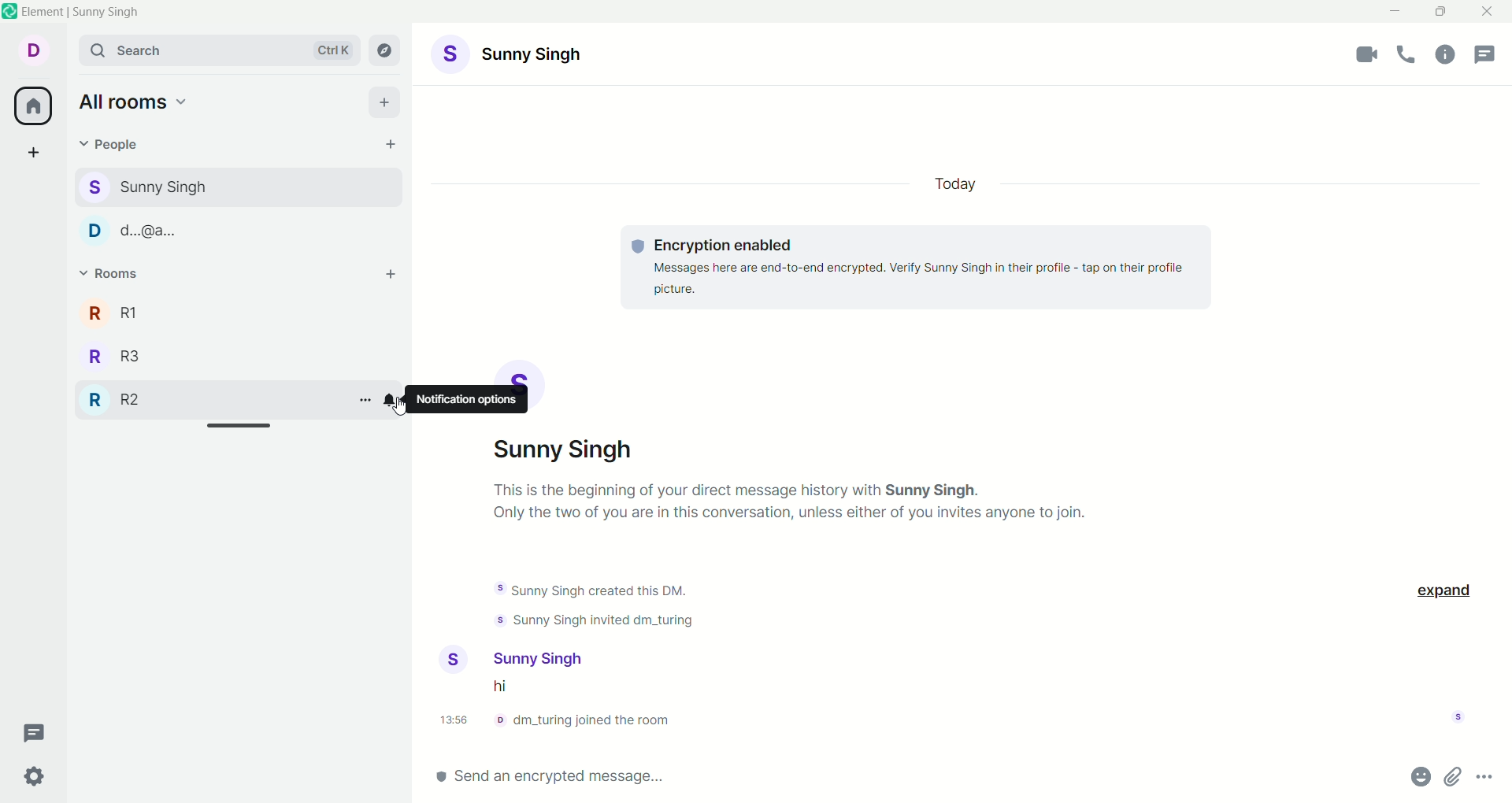  What do you see at coordinates (1409, 56) in the screenshot?
I see `voice call` at bounding box center [1409, 56].